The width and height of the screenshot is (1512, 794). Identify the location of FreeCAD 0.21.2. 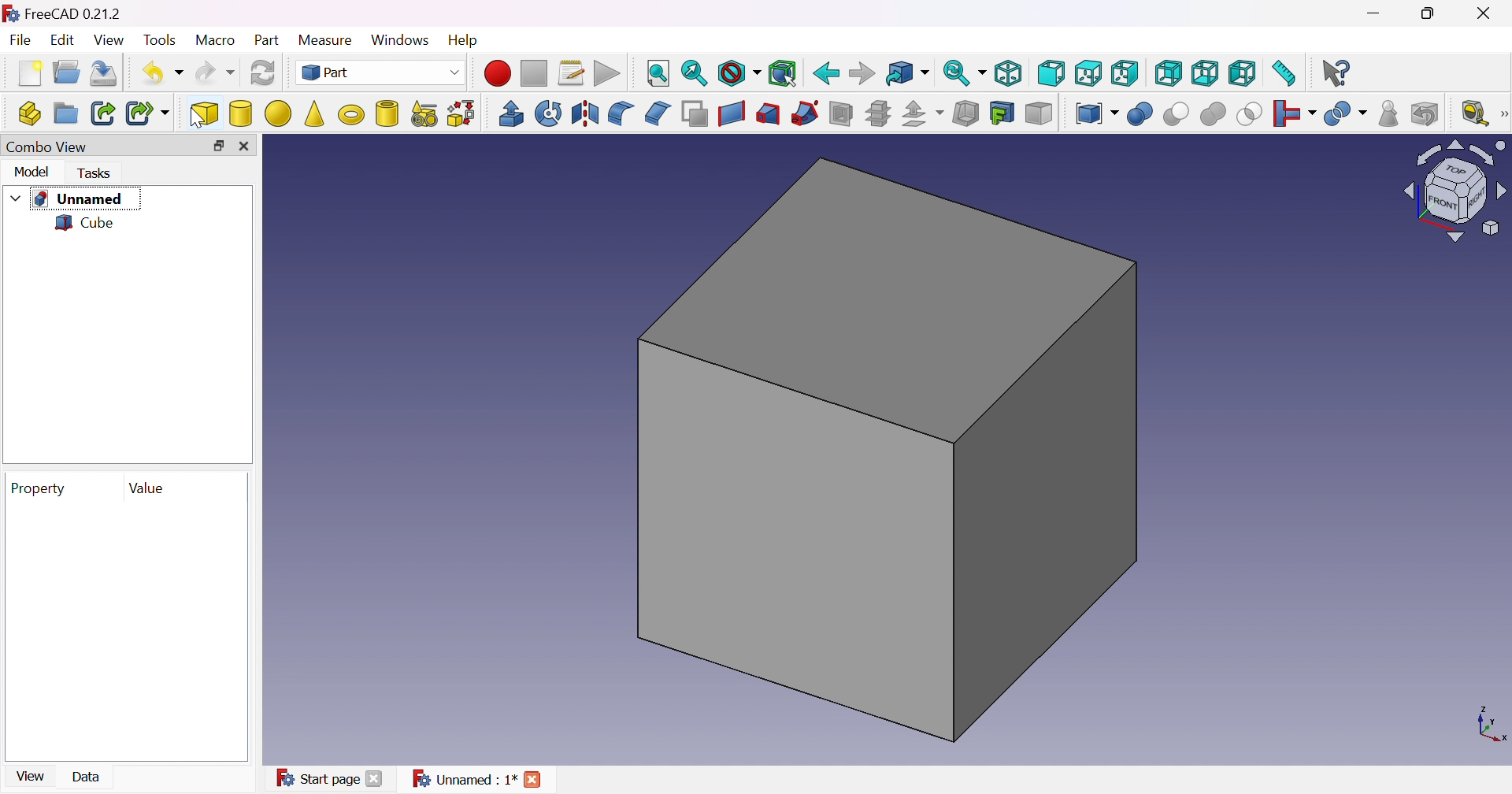
(62, 11).